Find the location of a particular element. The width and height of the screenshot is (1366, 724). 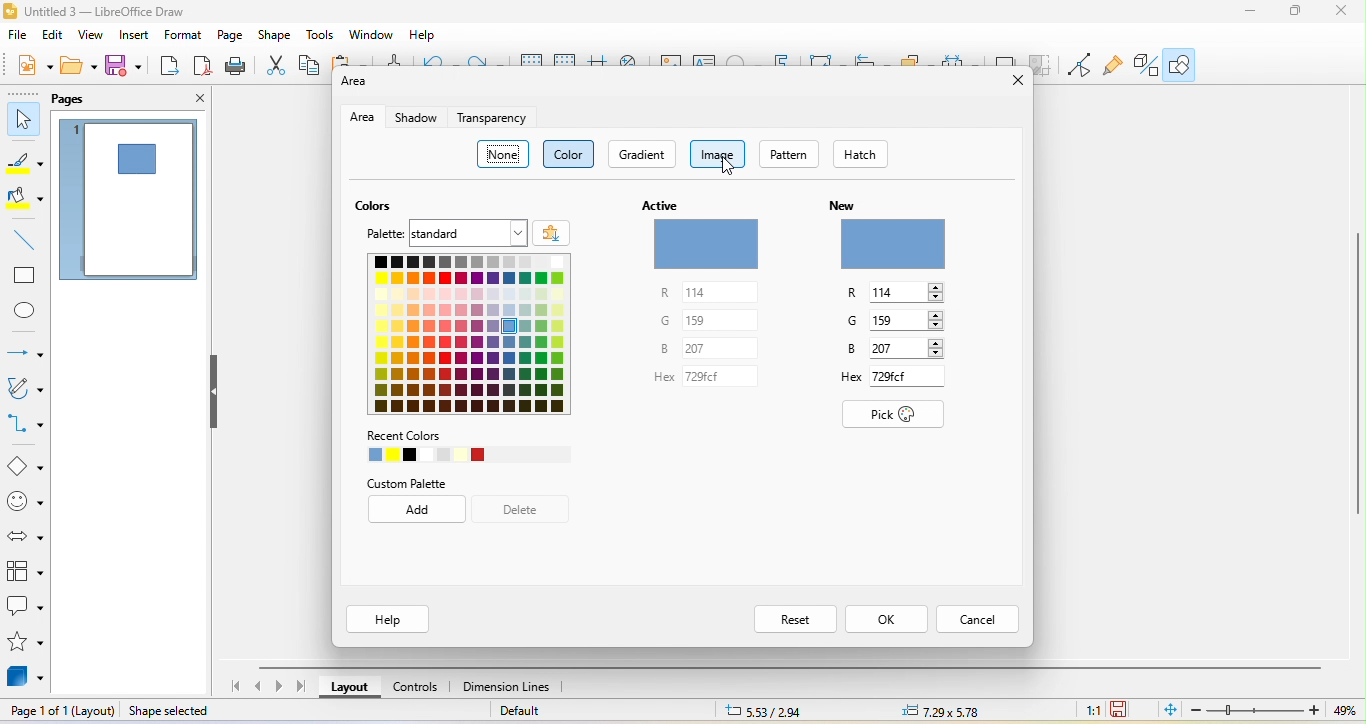

controls is located at coordinates (422, 689).